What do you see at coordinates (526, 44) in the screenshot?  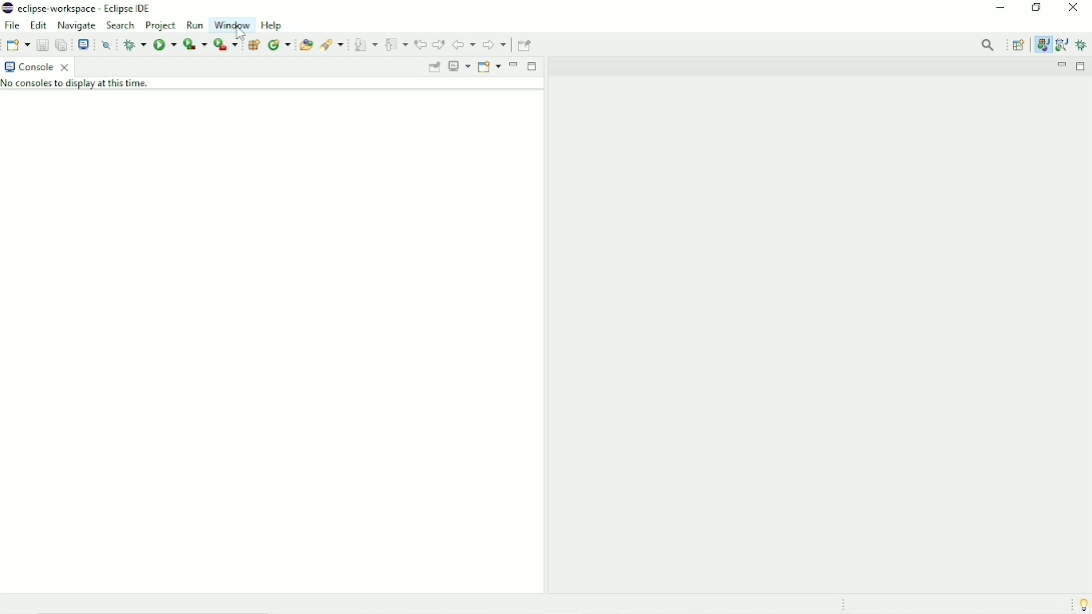 I see `Pin Editor` at bounding box center [526, 44].